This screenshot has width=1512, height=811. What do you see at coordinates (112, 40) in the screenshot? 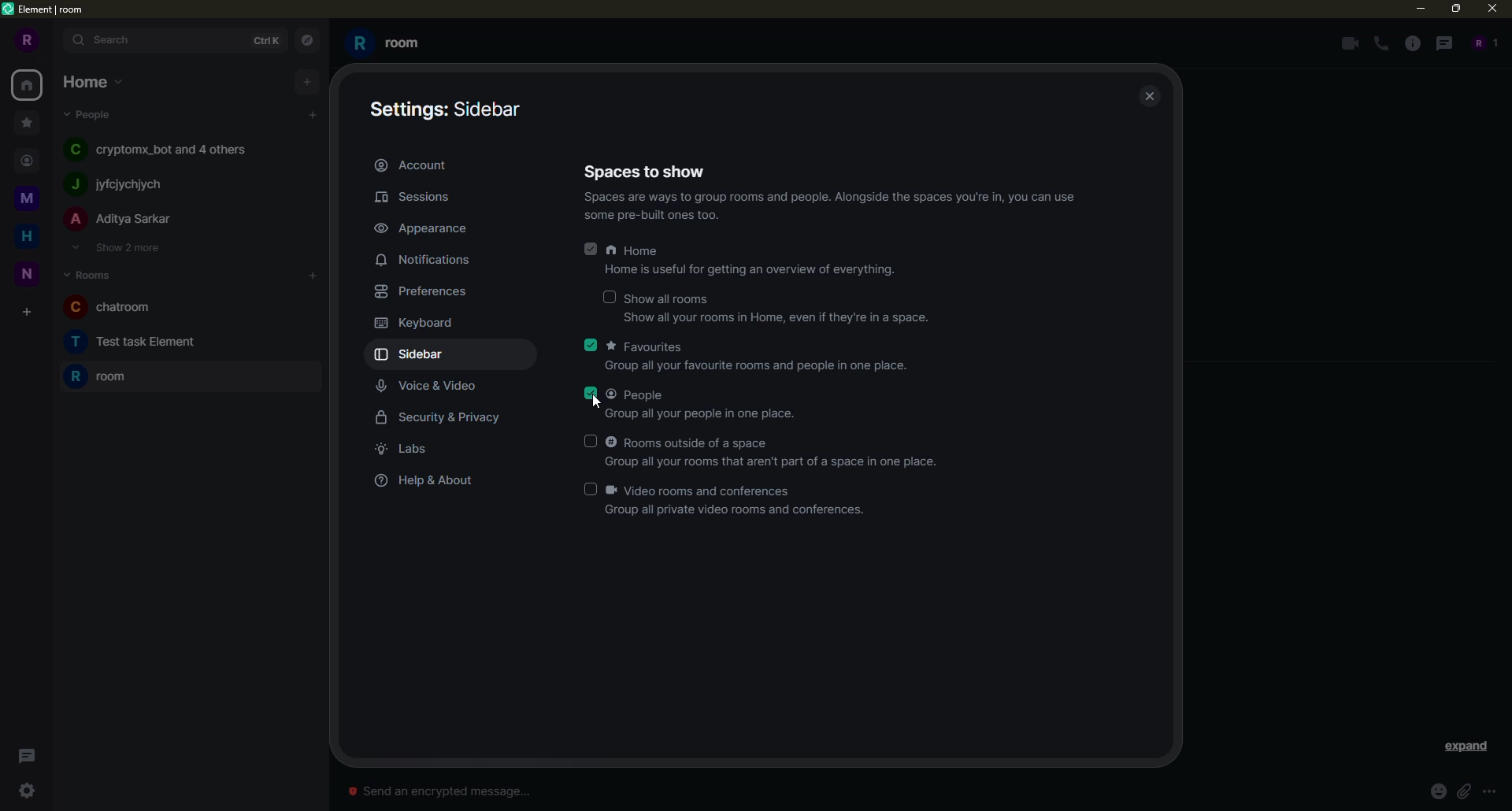
I see `search` at bounding box center [112, 40].